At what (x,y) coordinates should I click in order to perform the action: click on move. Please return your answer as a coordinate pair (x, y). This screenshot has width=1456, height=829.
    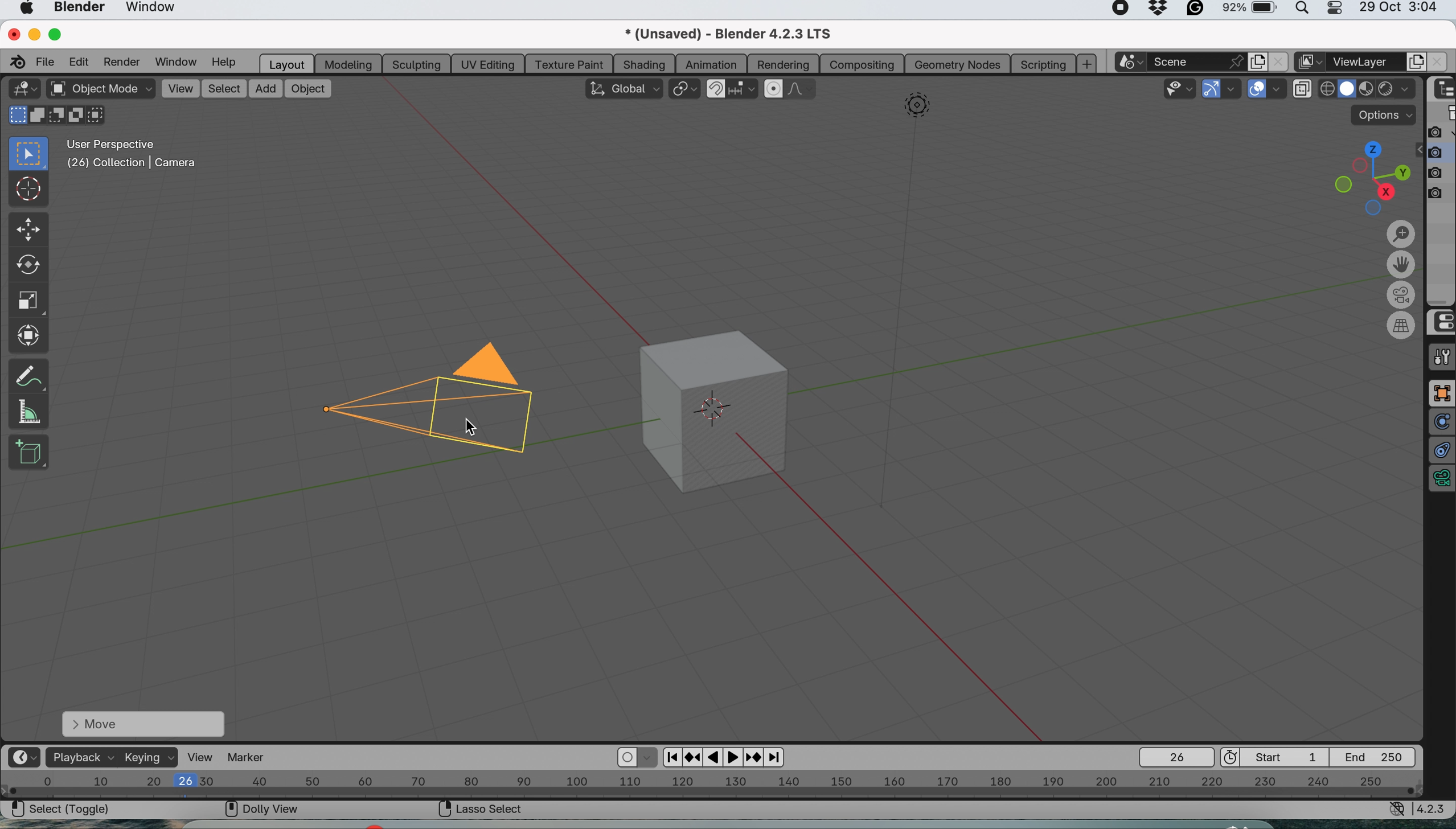
    Looking at the image, I should click on (27, 230).